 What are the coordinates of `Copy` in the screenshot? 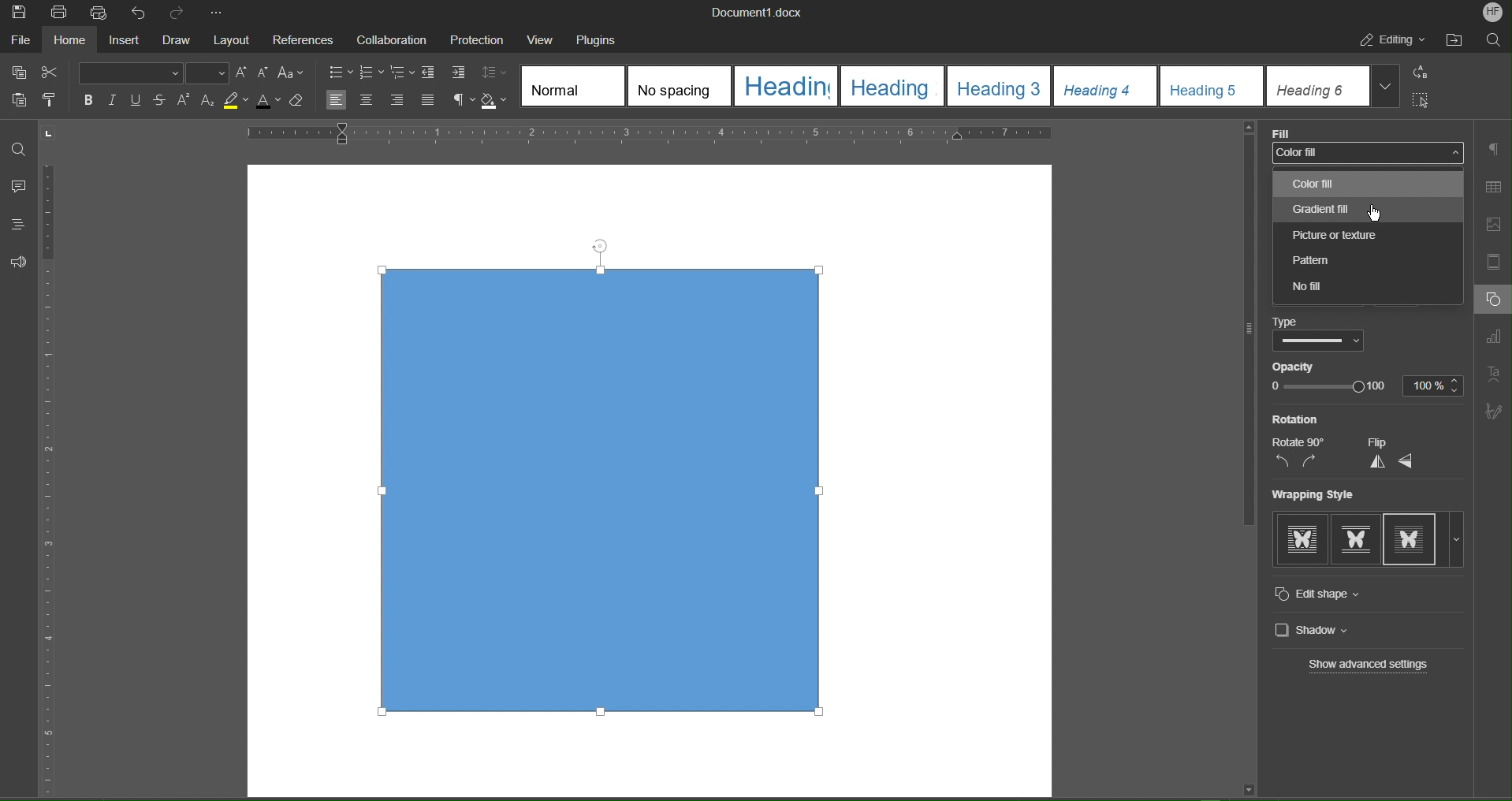 It's located at (18, 73).